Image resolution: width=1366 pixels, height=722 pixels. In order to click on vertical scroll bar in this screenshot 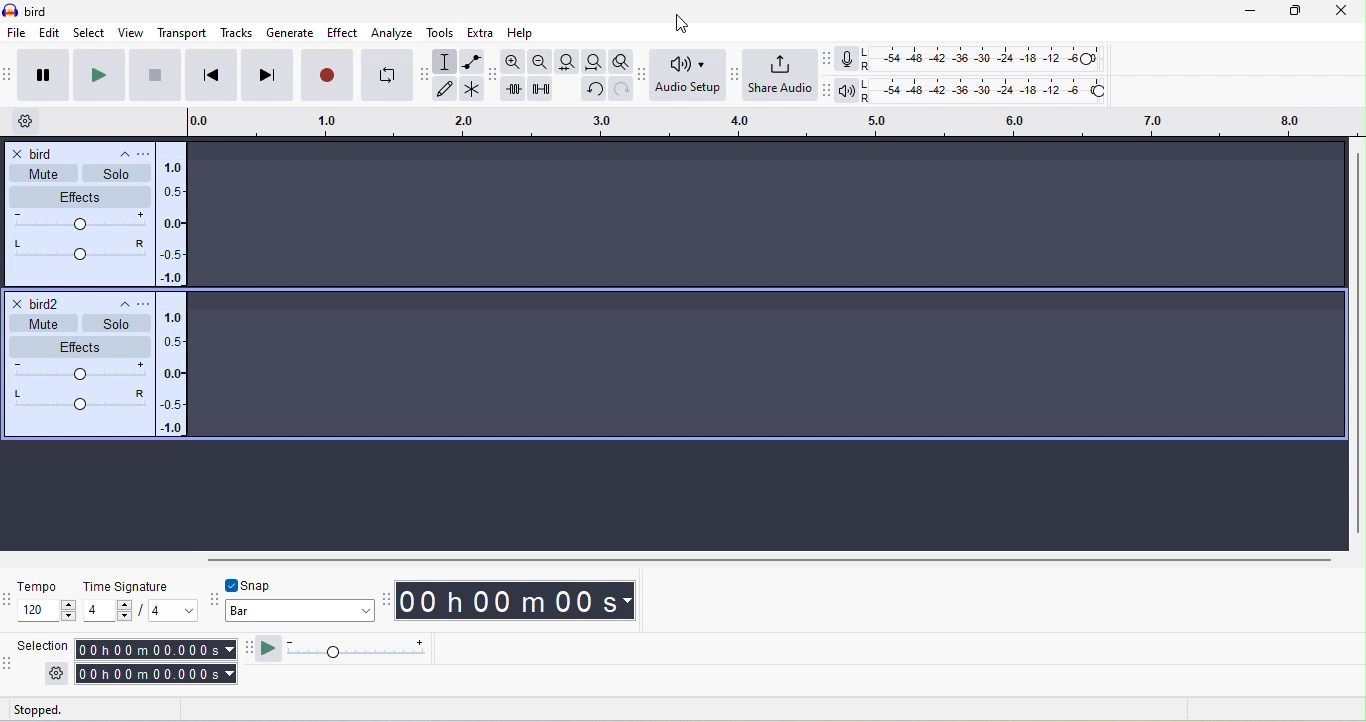, I will do `click(1355, 346)`.